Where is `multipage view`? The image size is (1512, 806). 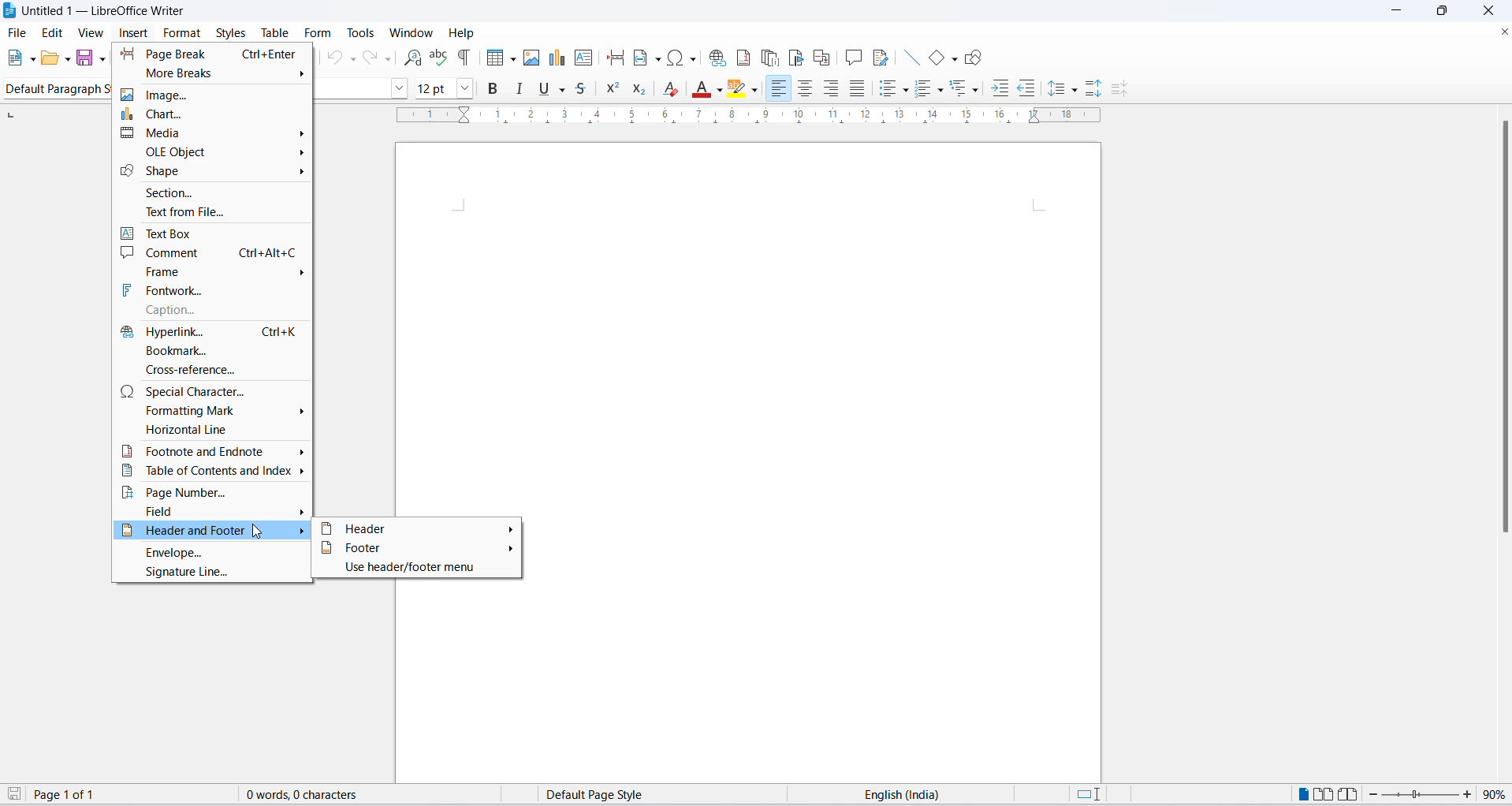
multipage view is located at coordinates (1322, 794).